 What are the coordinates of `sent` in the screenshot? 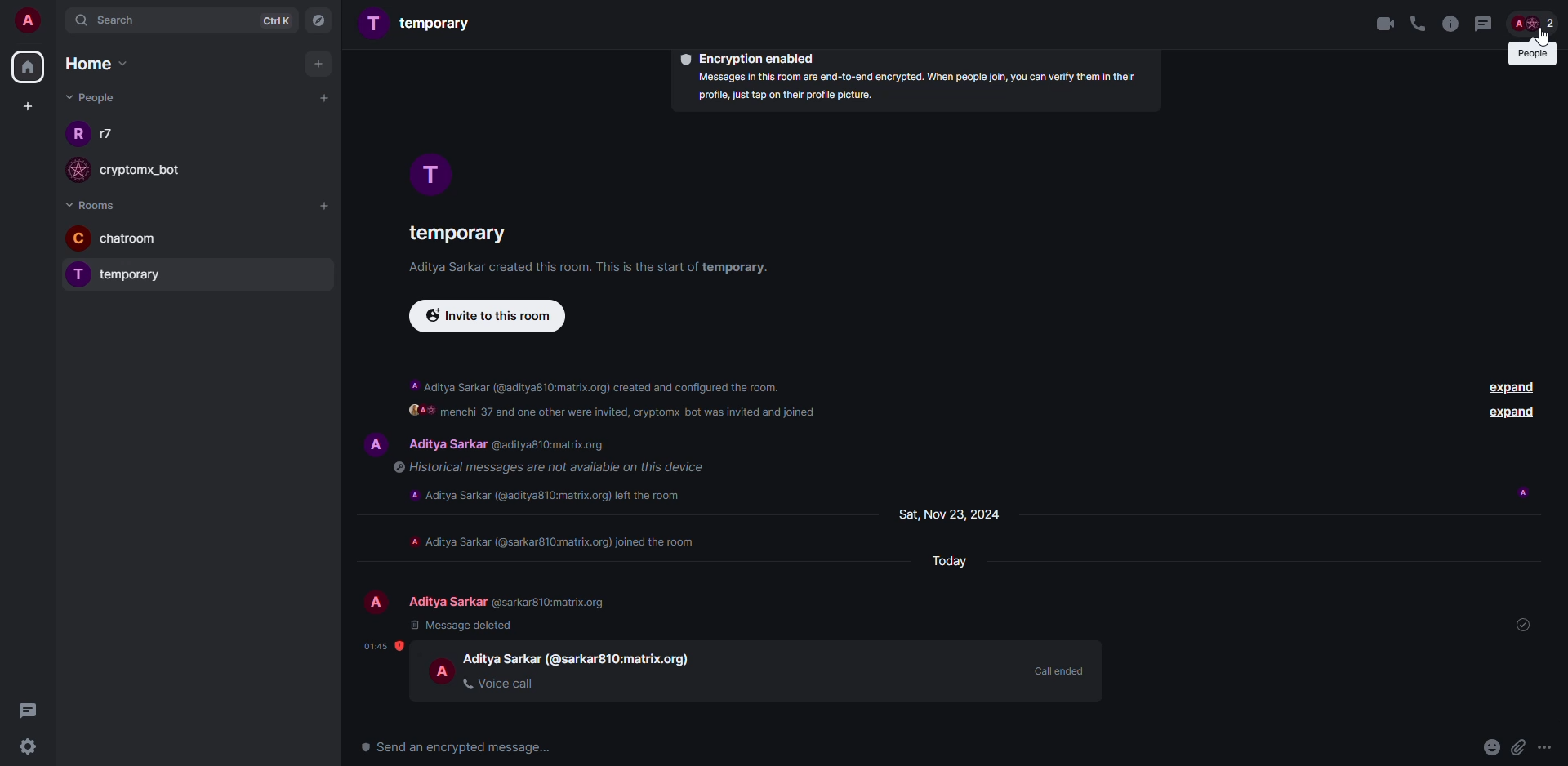 It's located at (1519, 622).